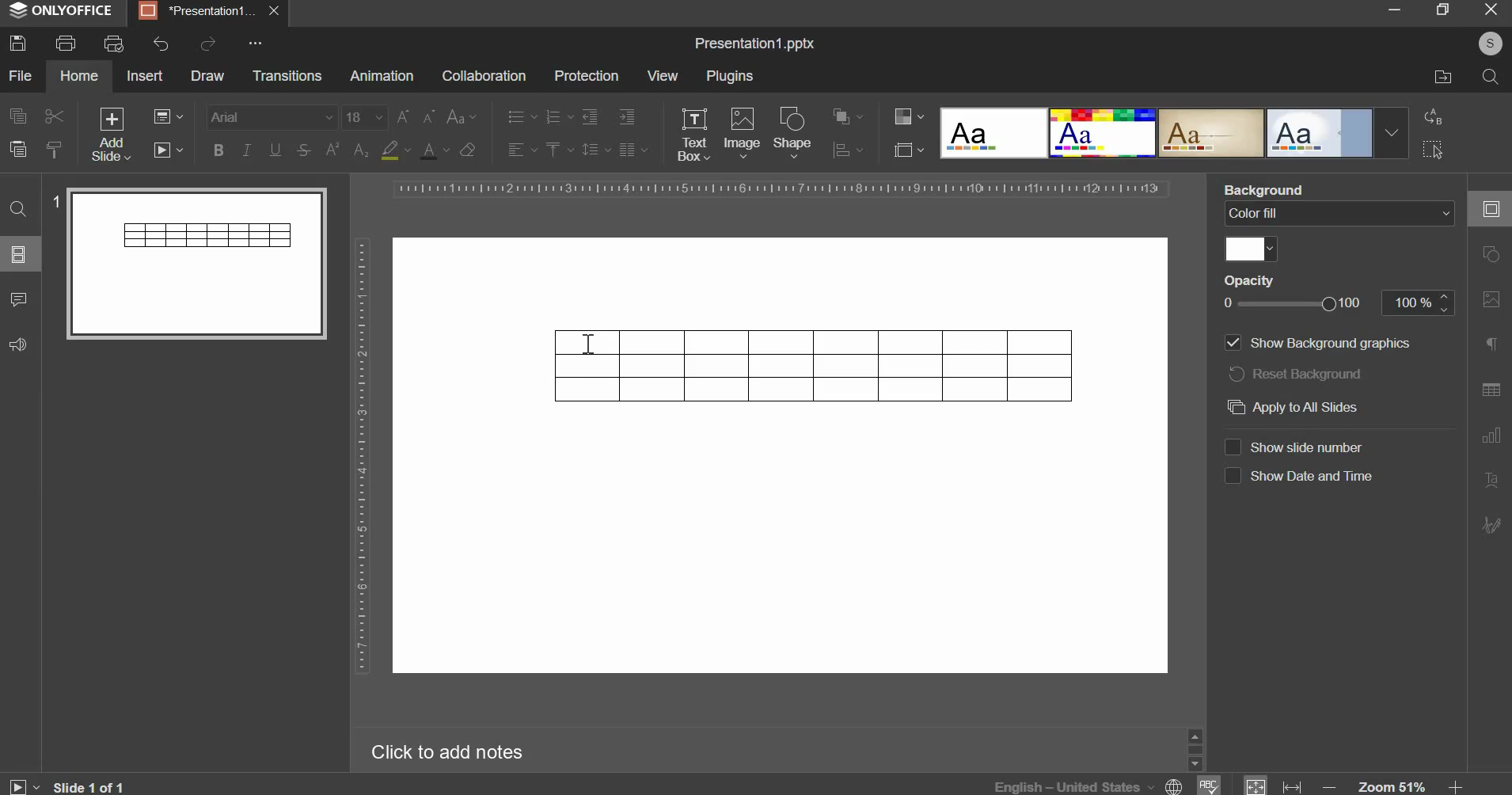 The width and height of the screenshot is (1512, 795). What do you see at coordinates (253, 44) in the screenshot?
I see `More` at bounding box center [253, 44].